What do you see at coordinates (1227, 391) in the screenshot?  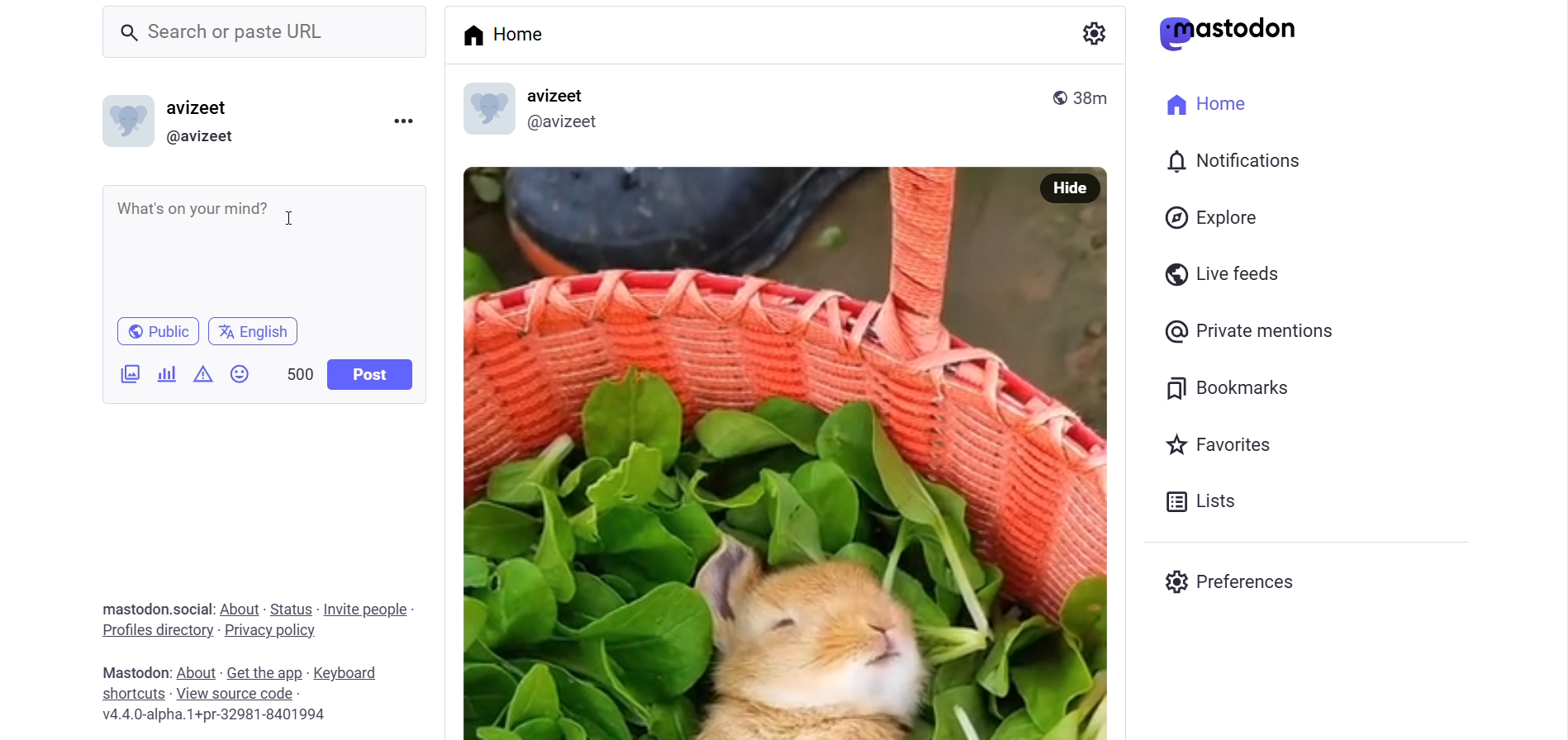 I see `Bookmarks` at bounding box center [1227, 391].